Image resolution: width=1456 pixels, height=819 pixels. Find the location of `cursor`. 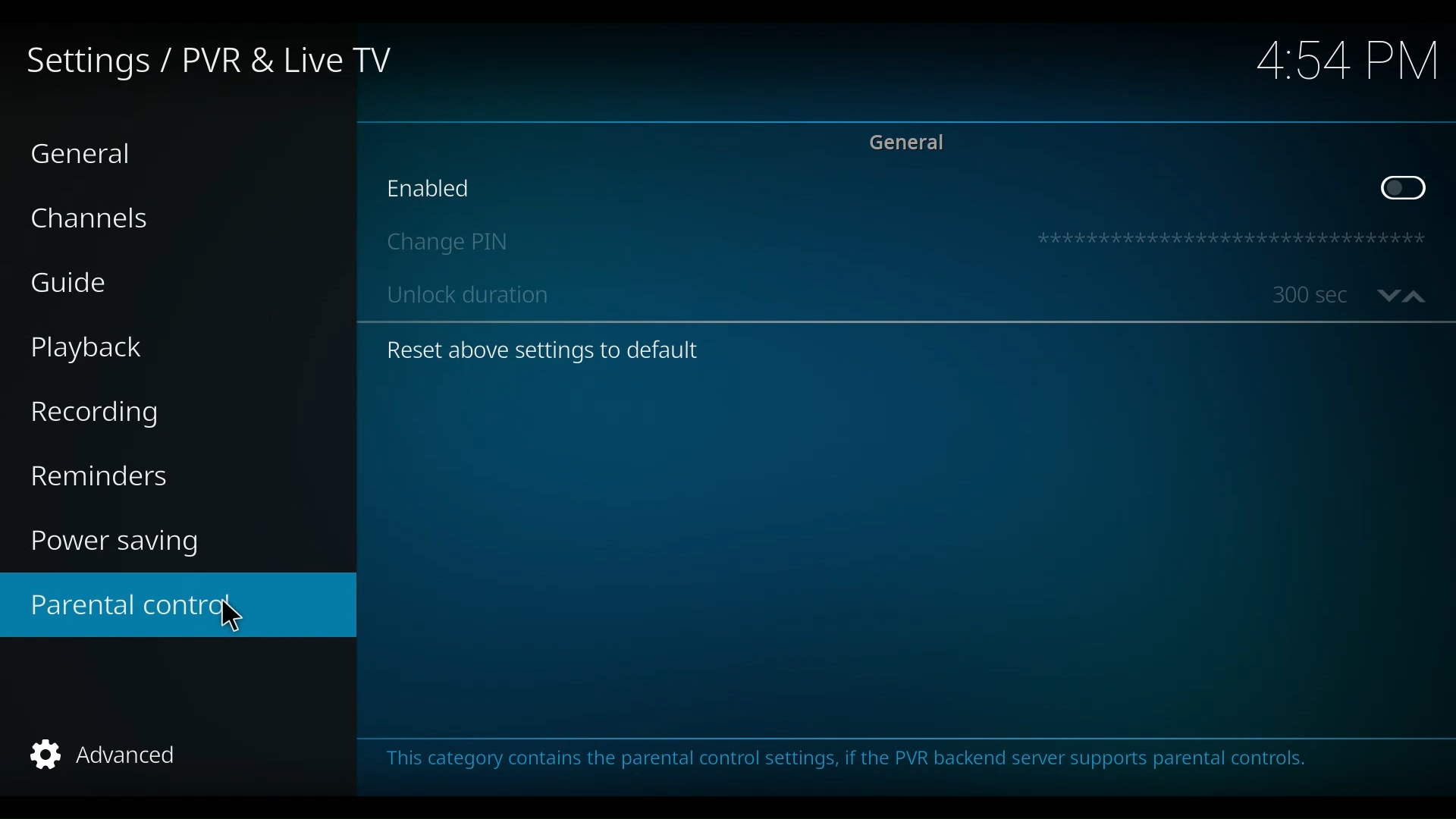

cursor is located at coordinates (233, 618).